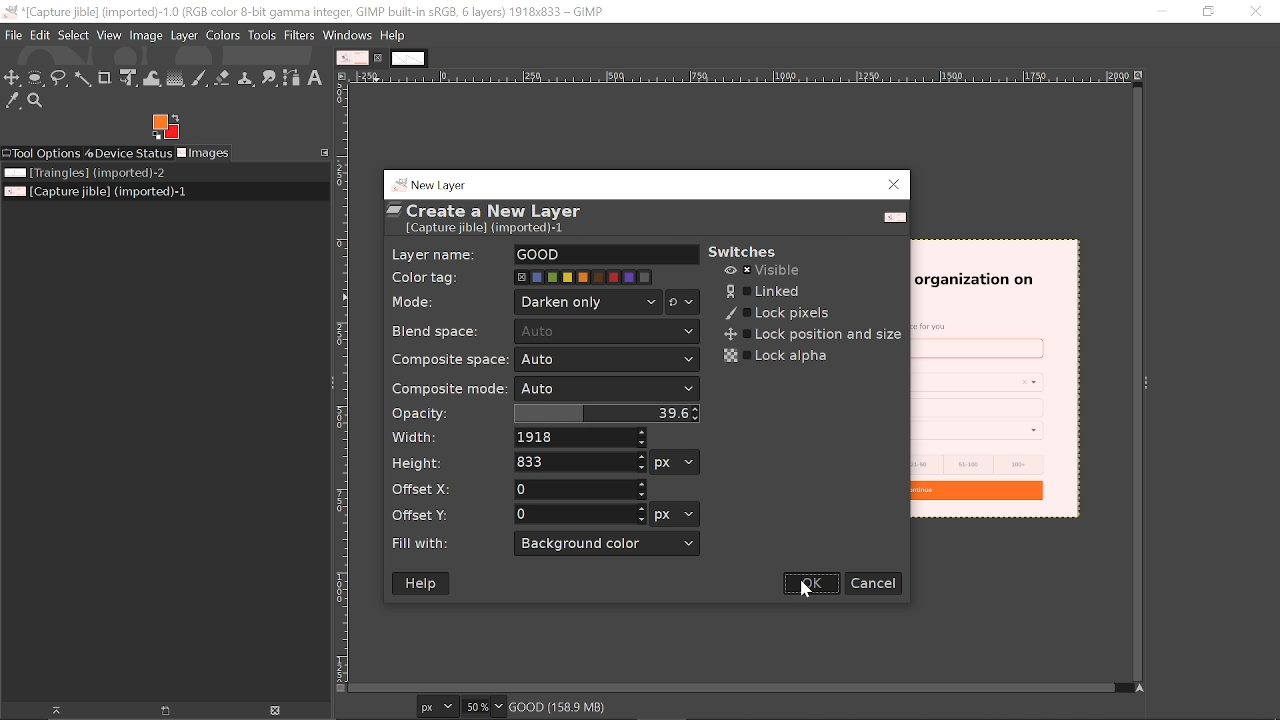 The image size is (1280, 720). Describe the element at coordinates (165, 127) in the screenshot. I see `Foreground color` at that location.